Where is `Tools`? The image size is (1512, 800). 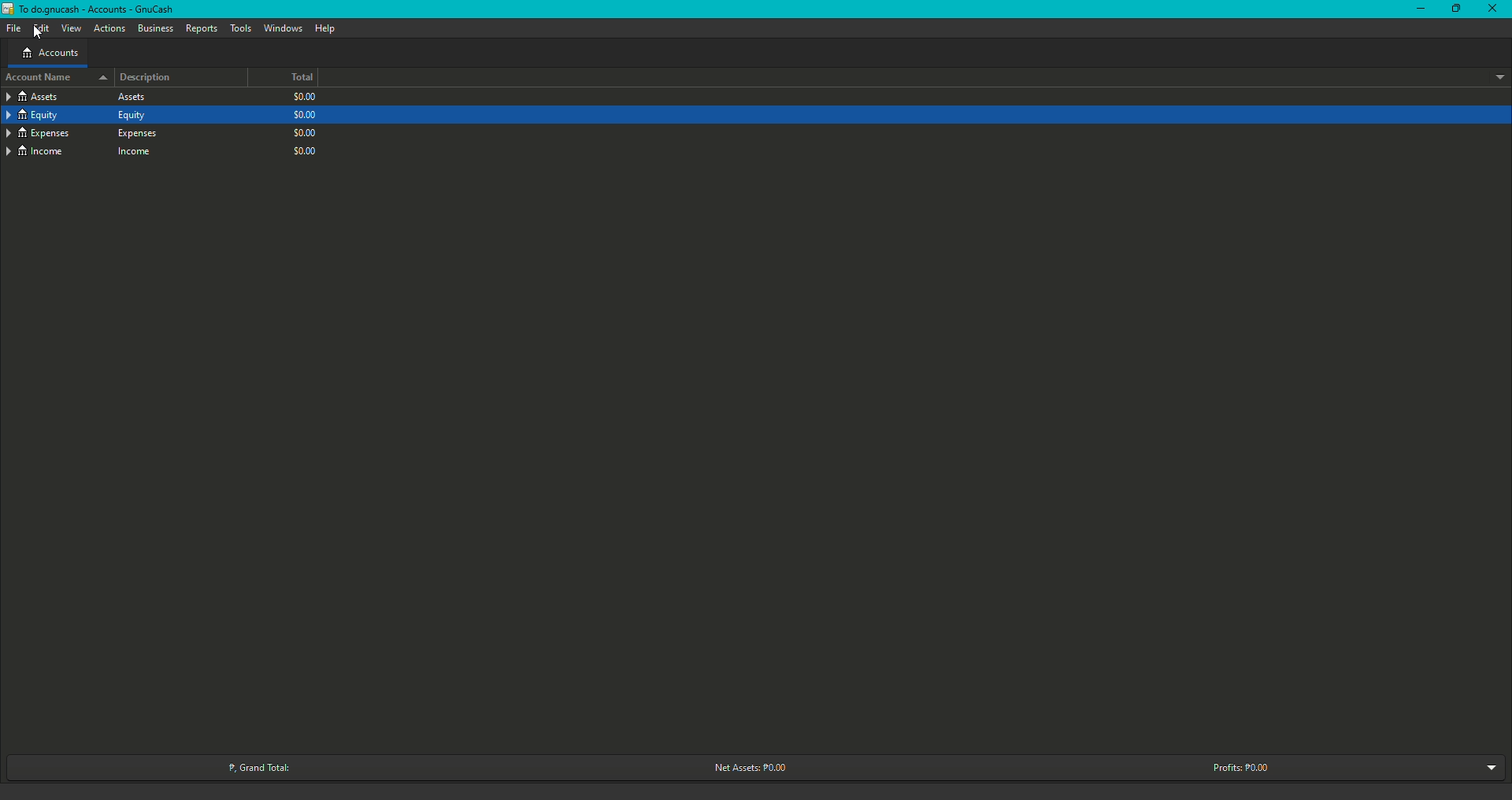
Tools is located at coordinates (240, 28).